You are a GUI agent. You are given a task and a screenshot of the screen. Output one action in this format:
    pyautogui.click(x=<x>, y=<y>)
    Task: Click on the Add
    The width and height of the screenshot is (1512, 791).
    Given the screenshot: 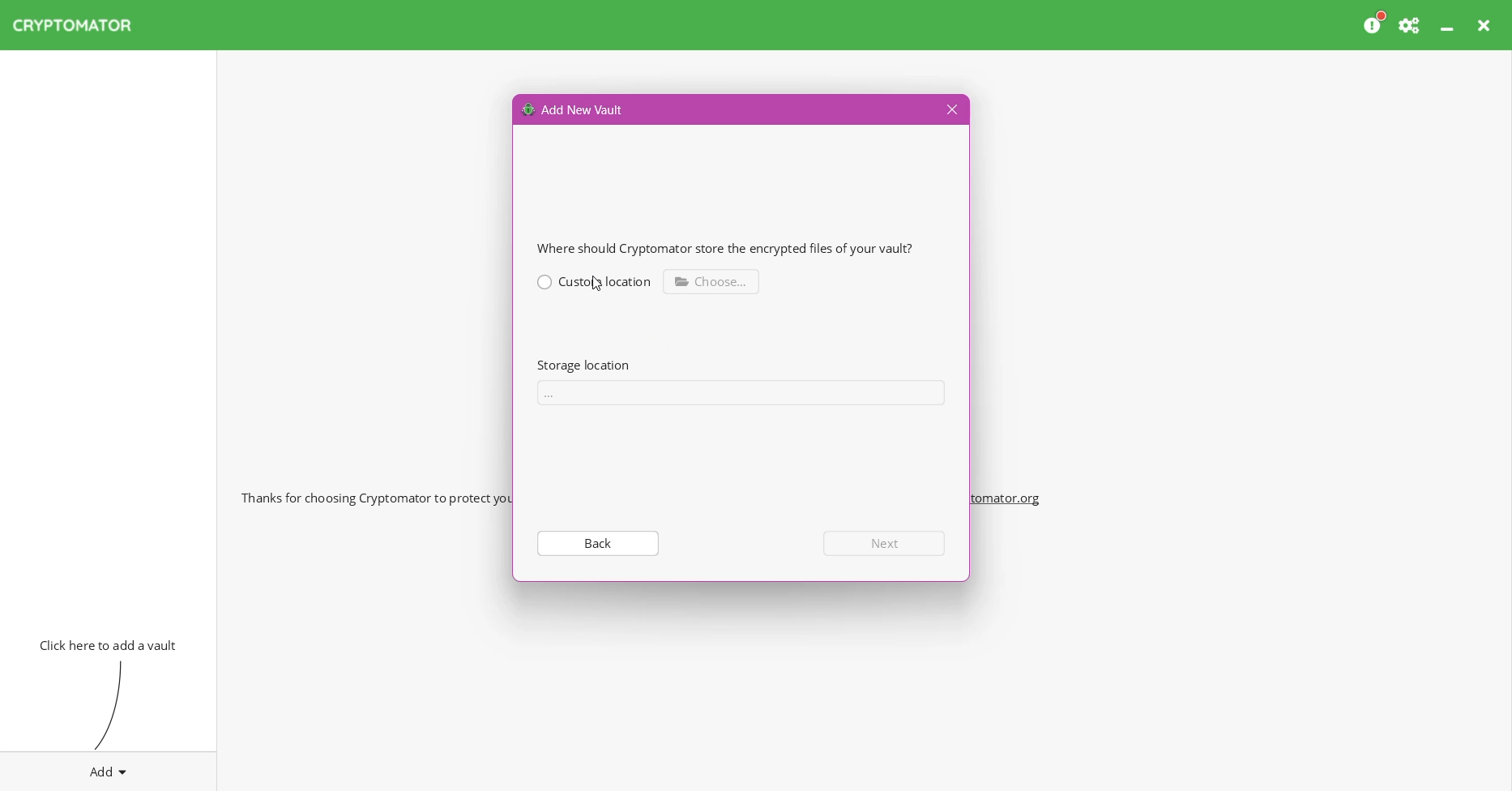 What is the action you would take?
    pyautogui.click(x=109, y=768)
    